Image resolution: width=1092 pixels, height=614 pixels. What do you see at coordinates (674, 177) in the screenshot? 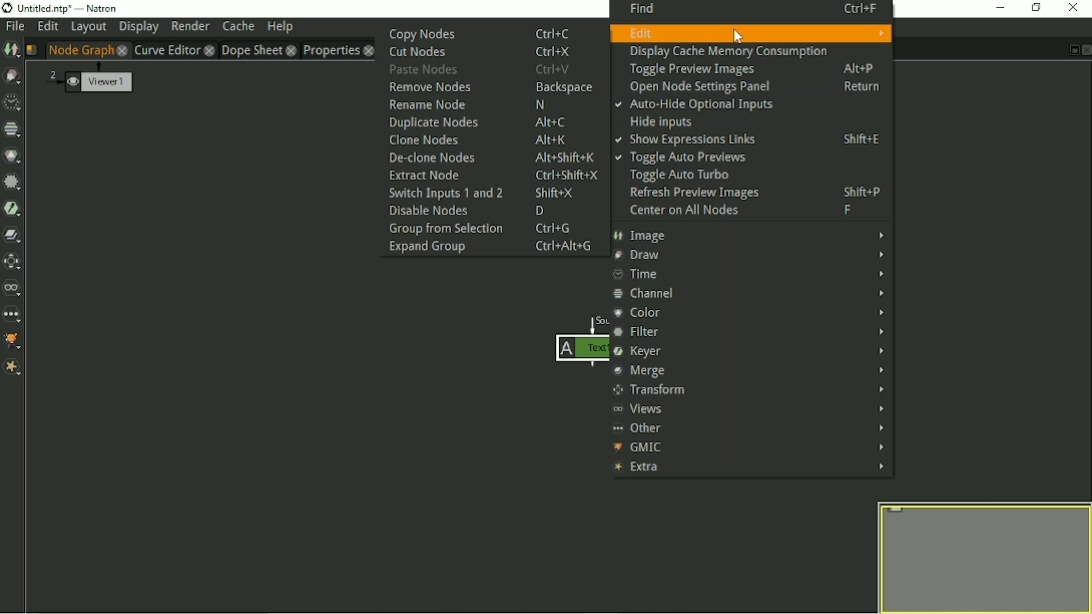
I see `Toggle Auto Turbo` at bounding box center [674, 177].